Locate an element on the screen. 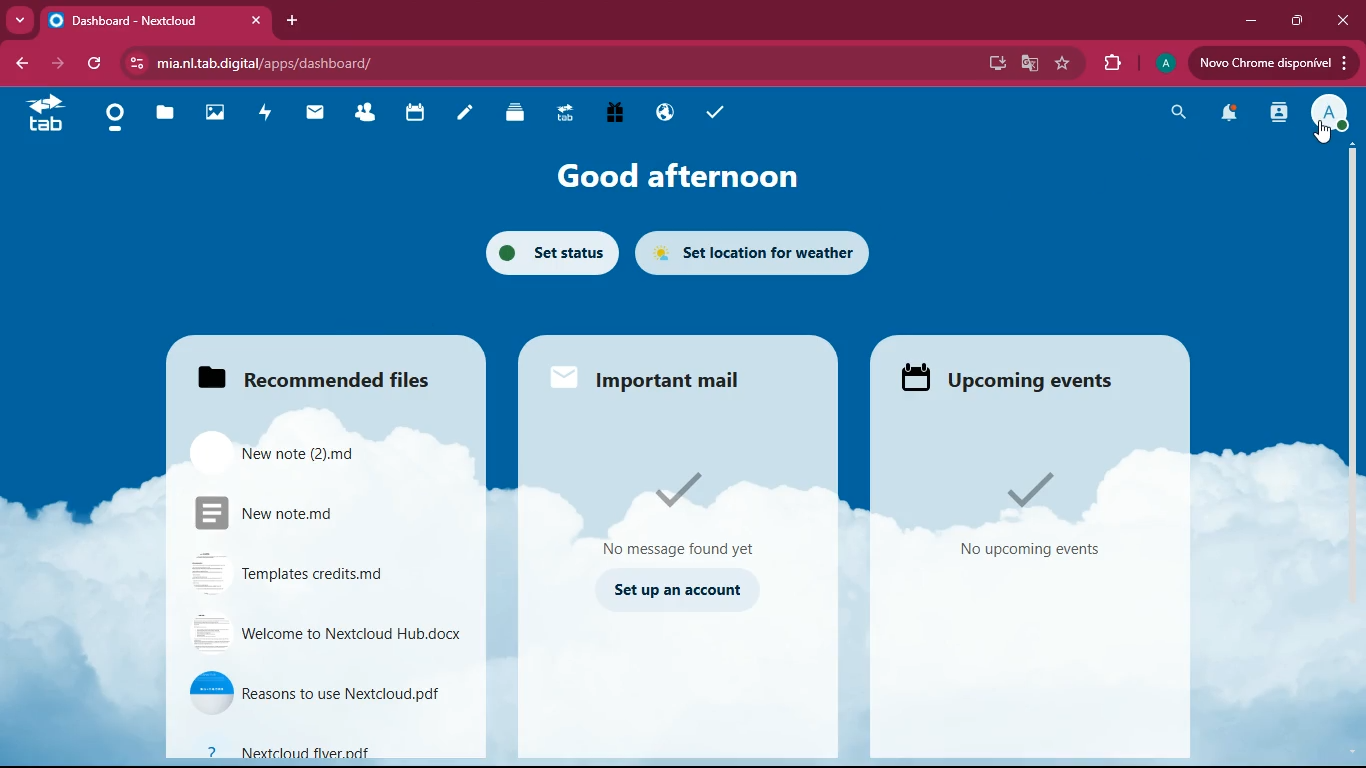 The image size is (1366, 768). file is located at coordinates (297, 573).